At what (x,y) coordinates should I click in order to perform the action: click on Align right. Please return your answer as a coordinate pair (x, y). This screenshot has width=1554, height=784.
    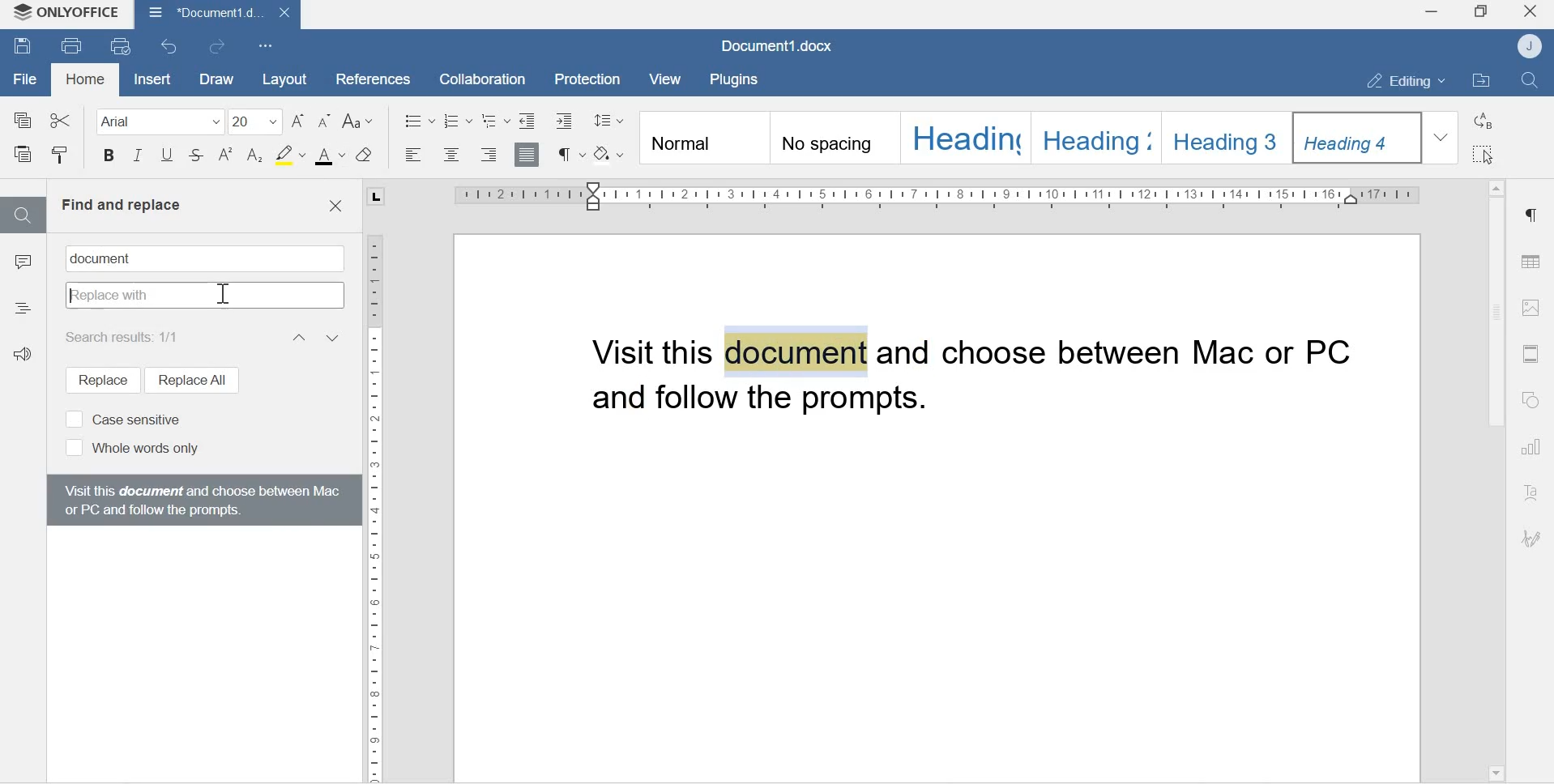
    Looking at the image, I should click on (489, 155).